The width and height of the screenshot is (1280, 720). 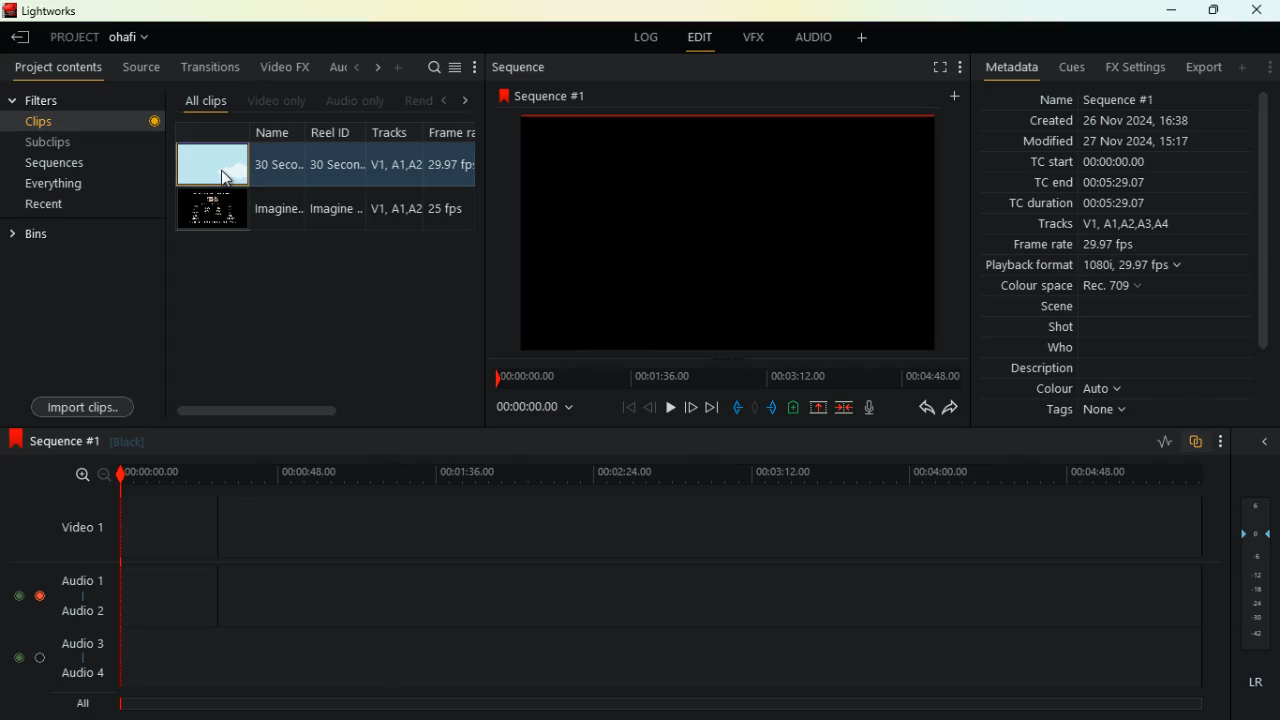 I want to click on left, so click(x=446, y=100).